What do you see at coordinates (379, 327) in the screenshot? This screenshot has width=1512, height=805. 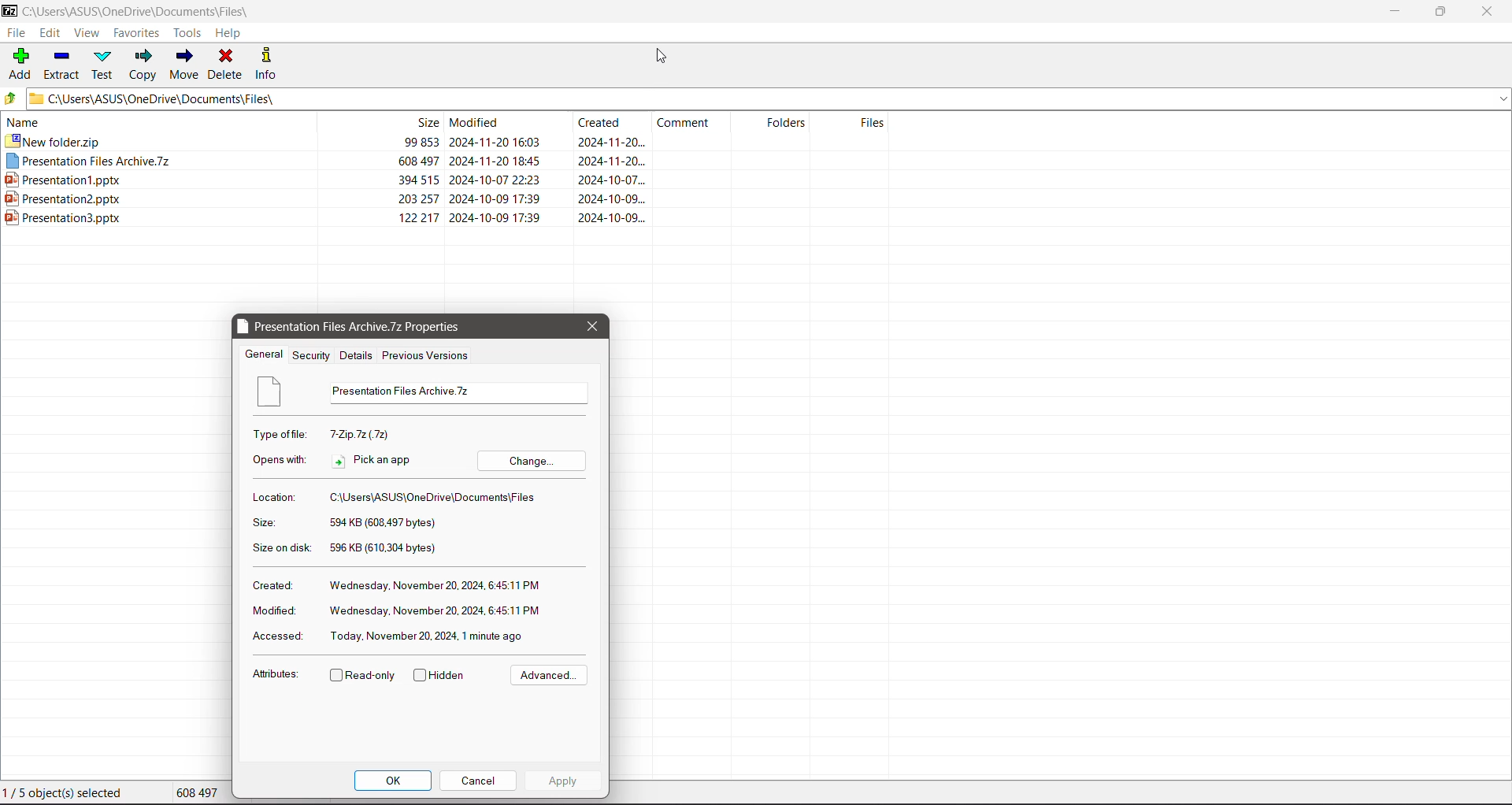 I see `Presentation Files Archive.7z Properties` at bounding box center [379, 327].